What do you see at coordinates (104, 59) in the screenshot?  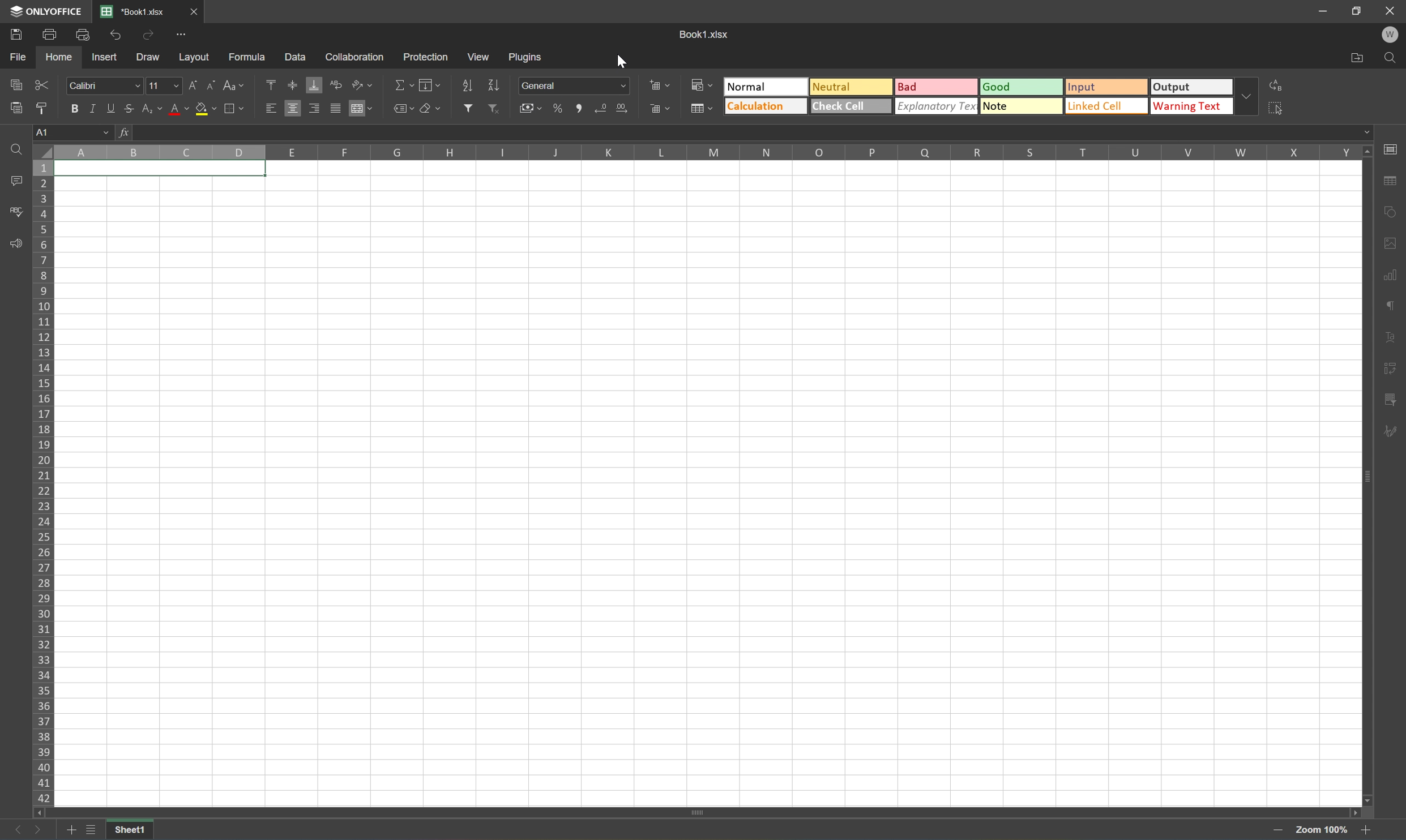 I see `Insert` at bounding box center [104, 59].